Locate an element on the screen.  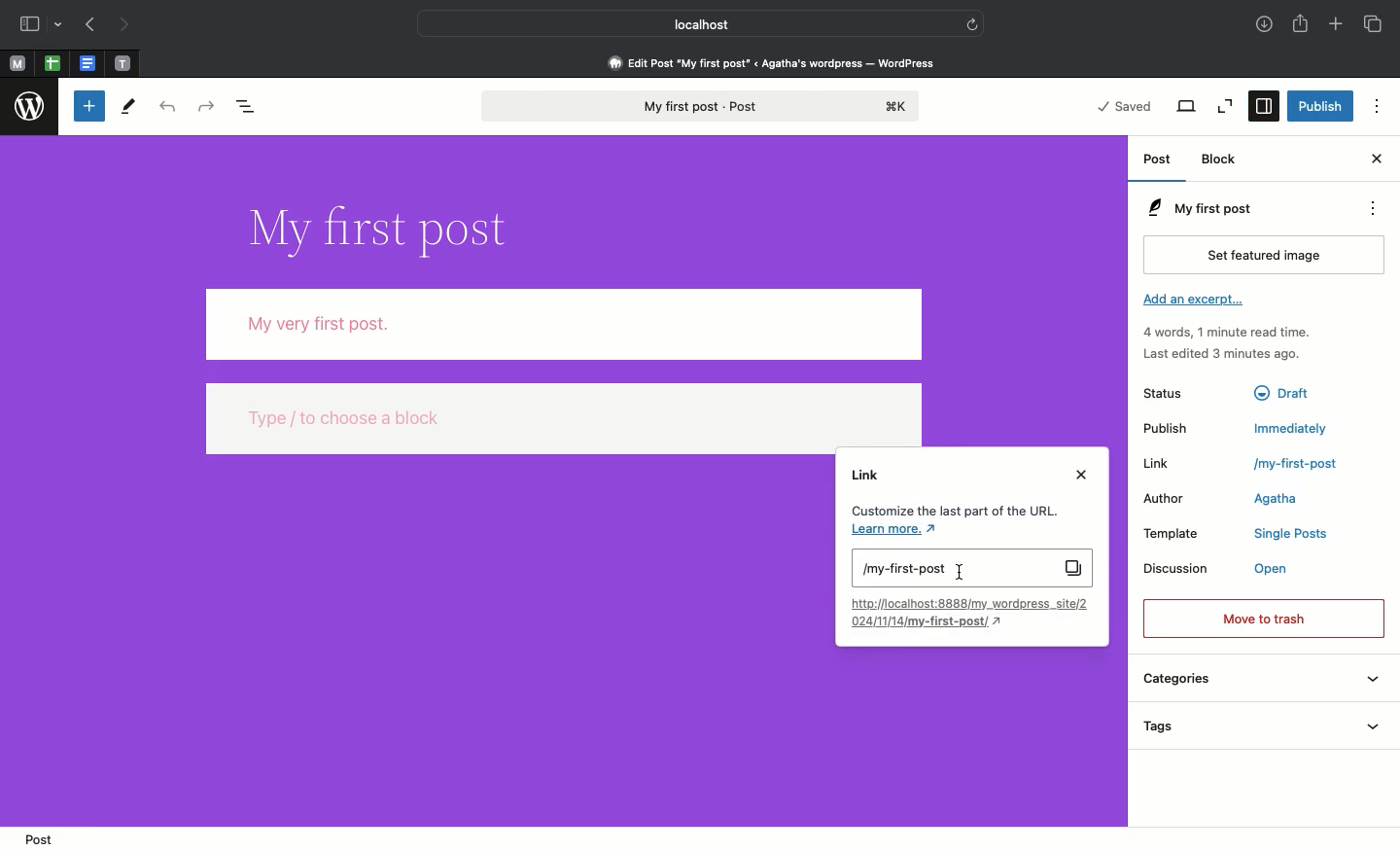
Add new tab is located at coordinates (1337, 25).